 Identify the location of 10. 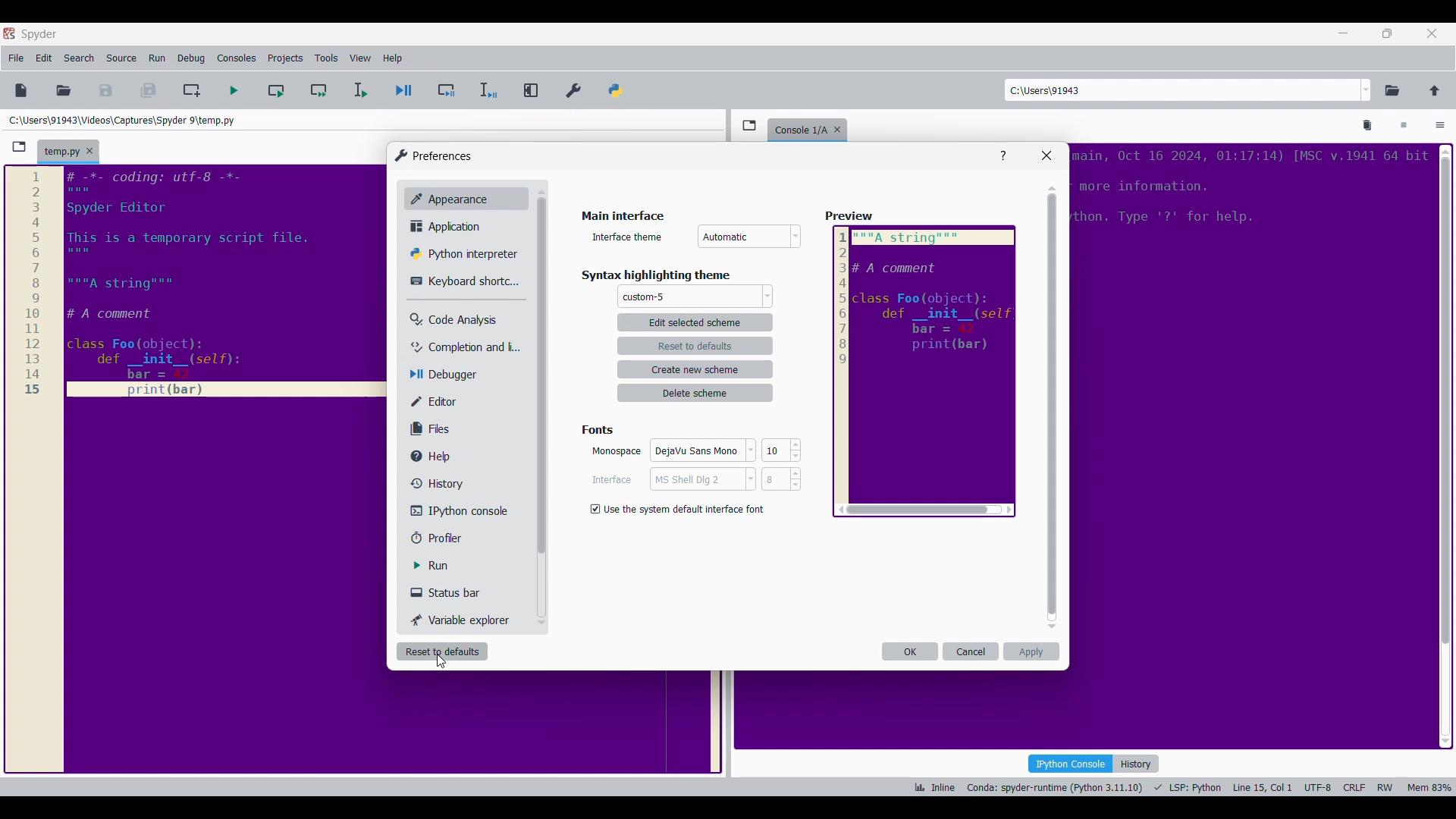
(782, 450).